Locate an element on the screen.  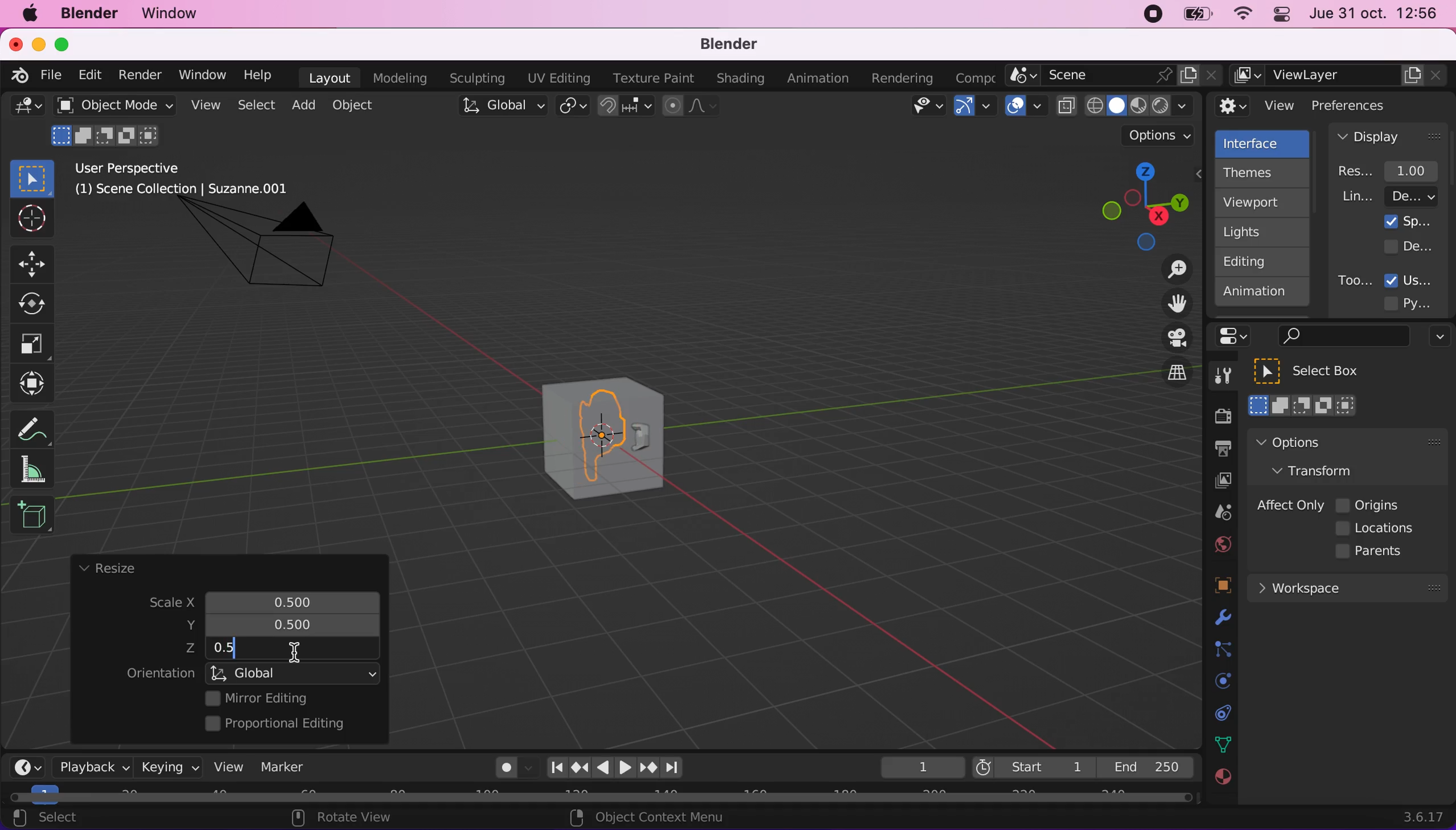
maximize is located at coordinates (68, 44).